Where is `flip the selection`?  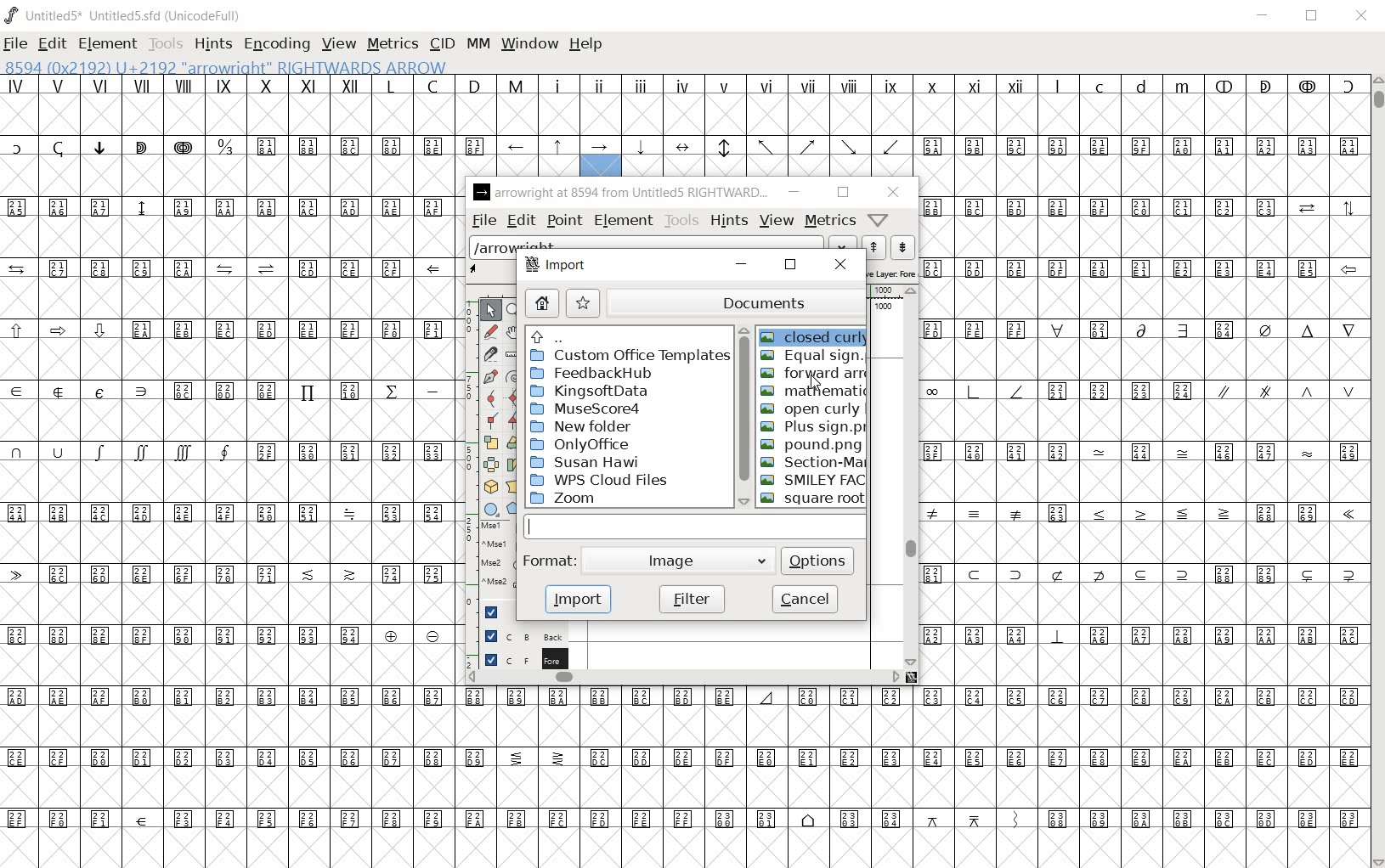 flip the selection is located at coordinates (491, 465).